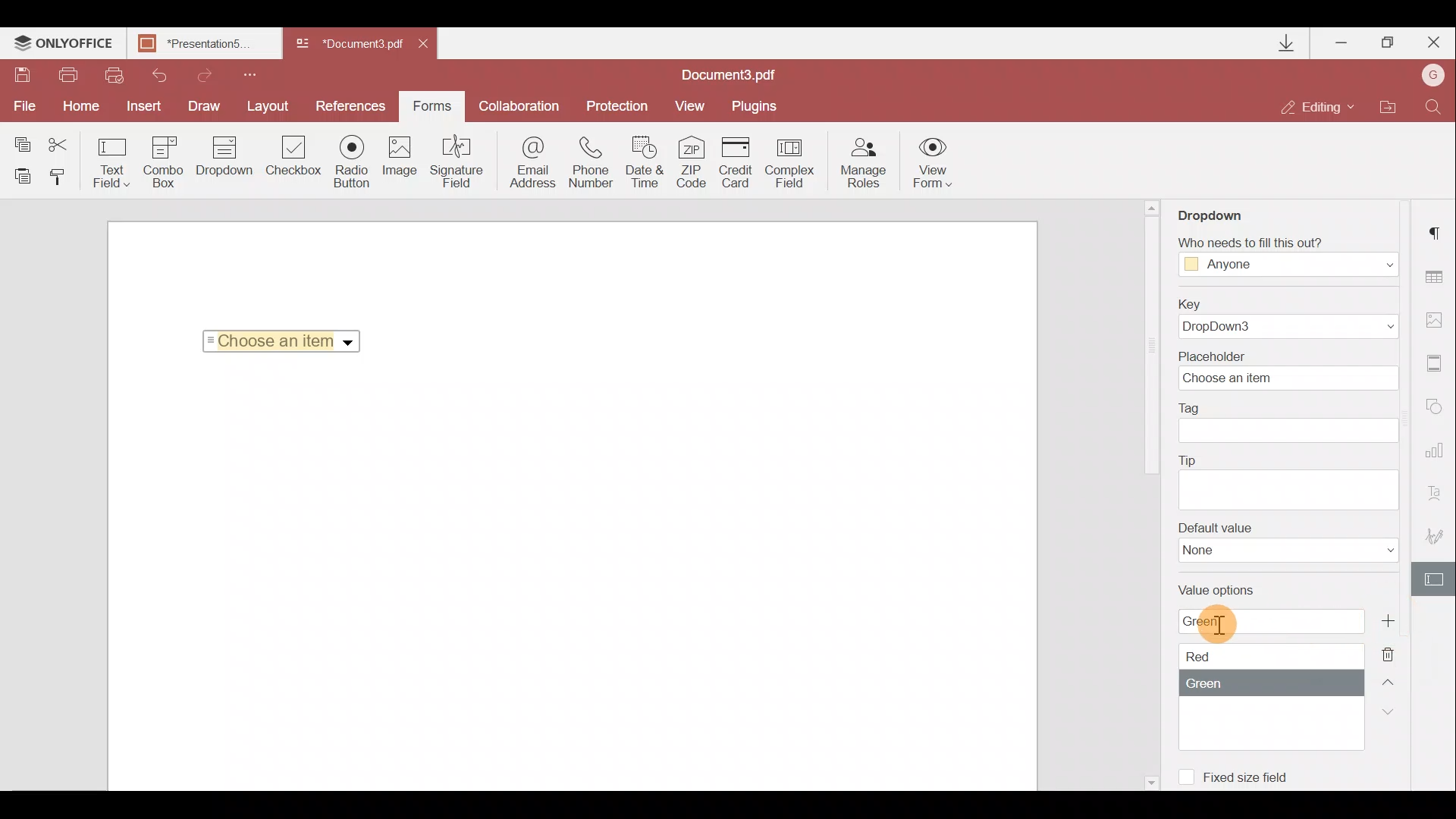 The image size is (1456, 819). What do you see at coordinates (648, 162) in the screenshot?
I see `Date & time` at bounding box center [648, 162].